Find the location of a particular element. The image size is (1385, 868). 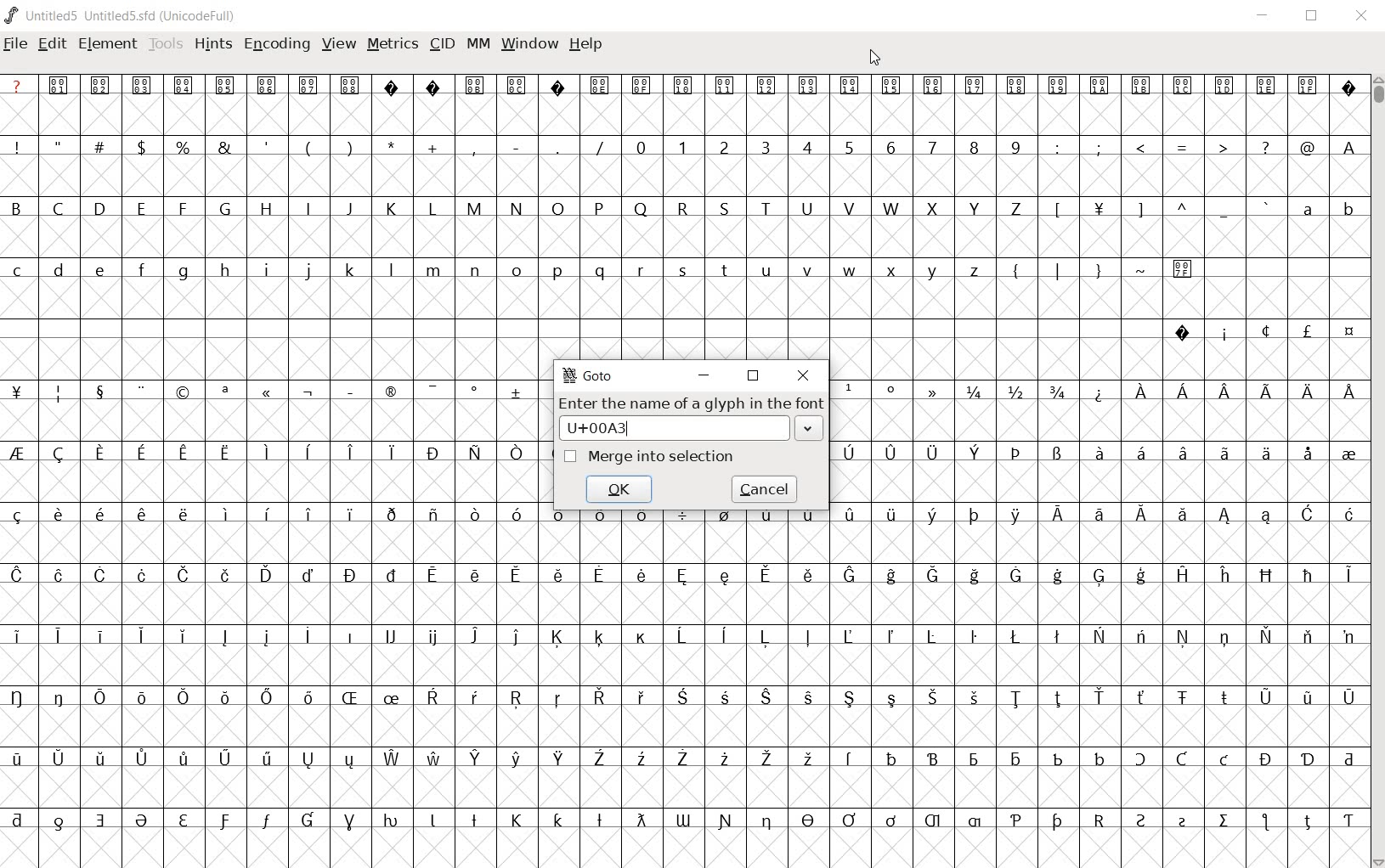

+ is located at coordinates (434, 148).